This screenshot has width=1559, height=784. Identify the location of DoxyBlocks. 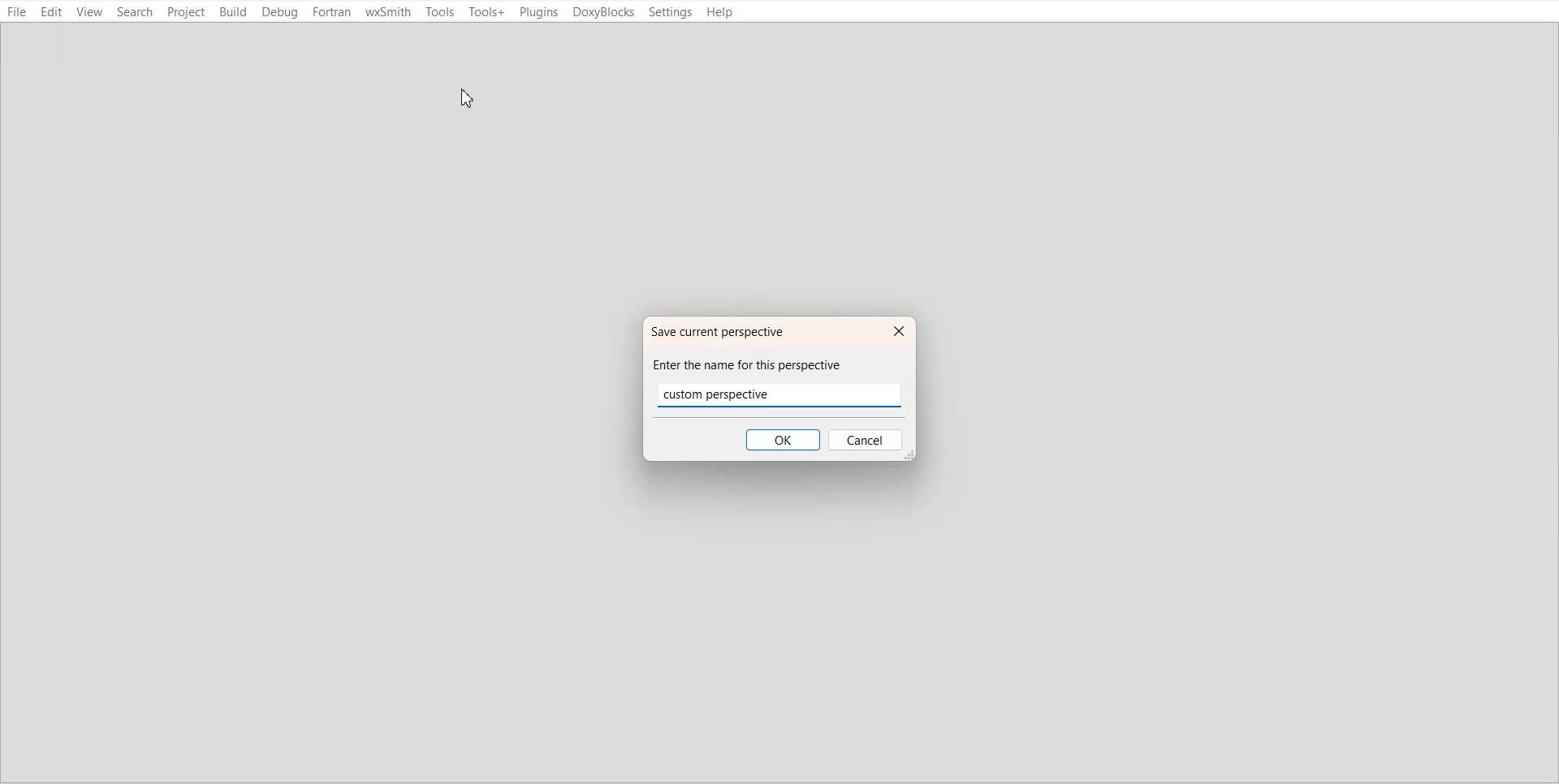
(604, 13).